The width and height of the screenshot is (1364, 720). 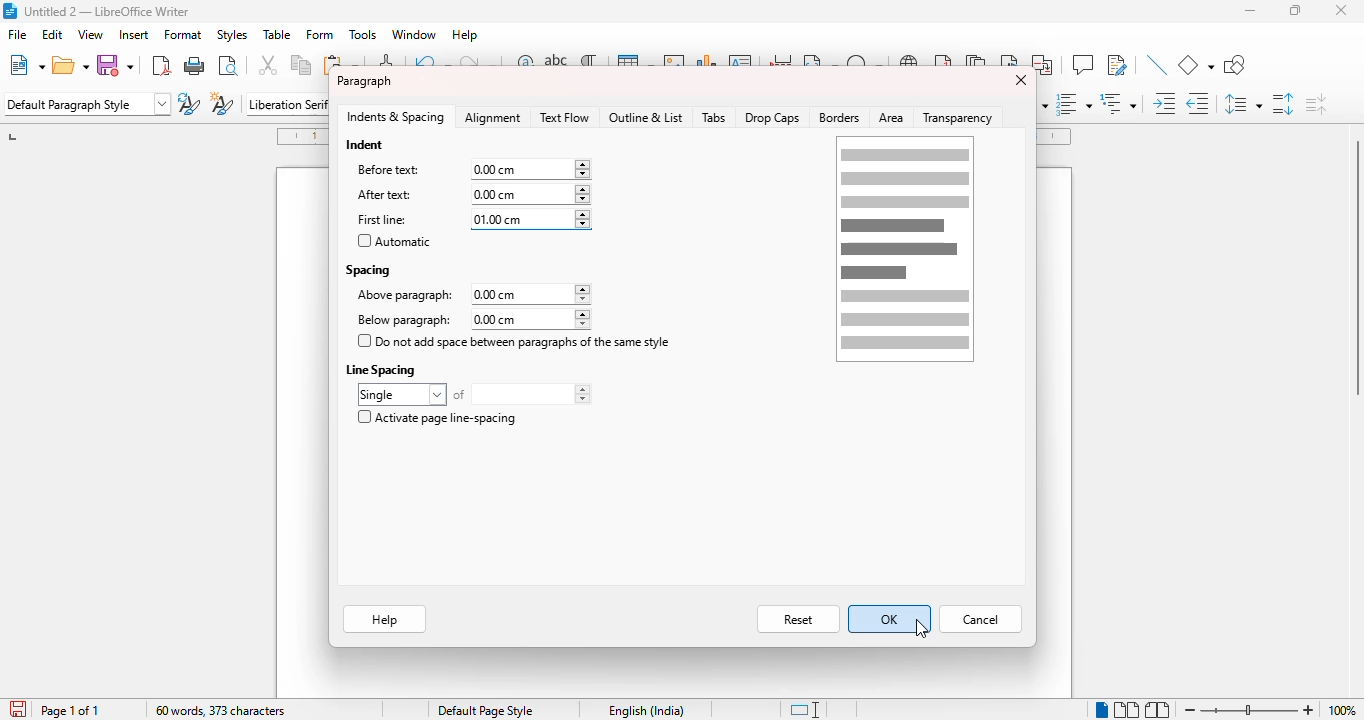 I want to click on toggle print preview, so click(x=228, y=65).